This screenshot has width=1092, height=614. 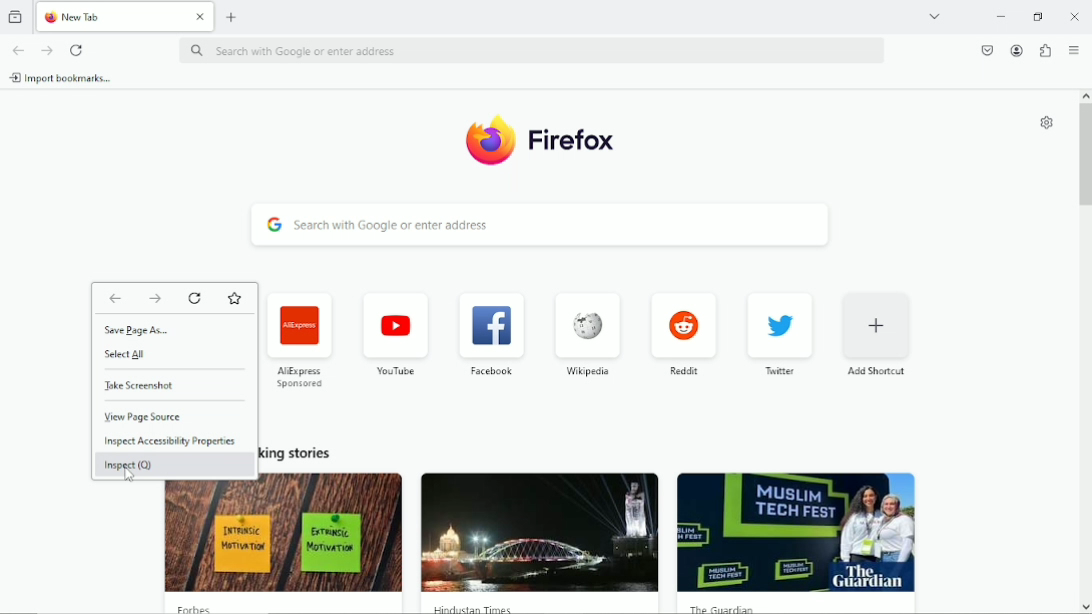 I want to click on Youtube, so click(x=393, y=334).